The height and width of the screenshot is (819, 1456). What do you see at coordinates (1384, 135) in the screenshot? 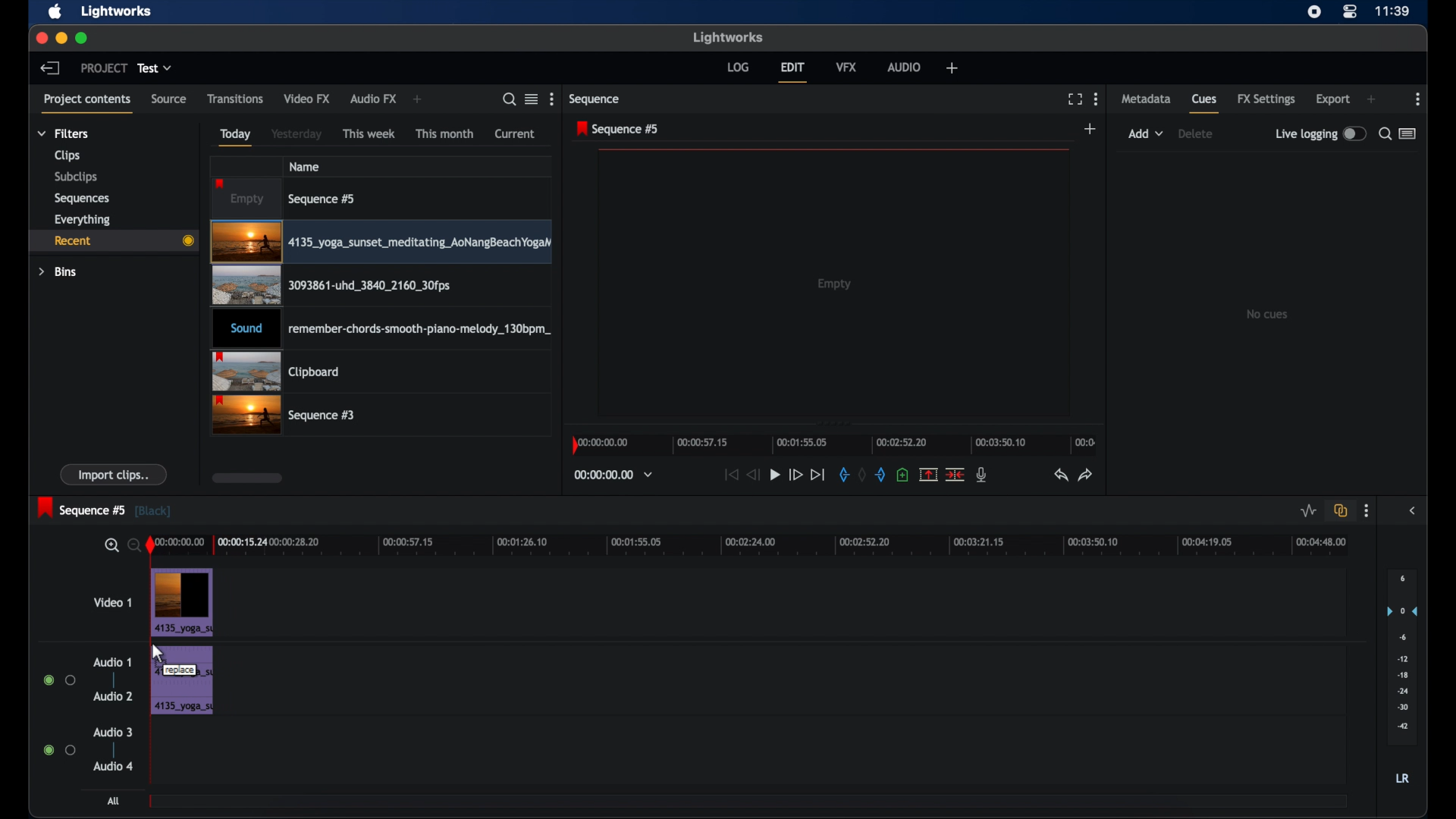
I see `search` at bounding box center [1384, 135].